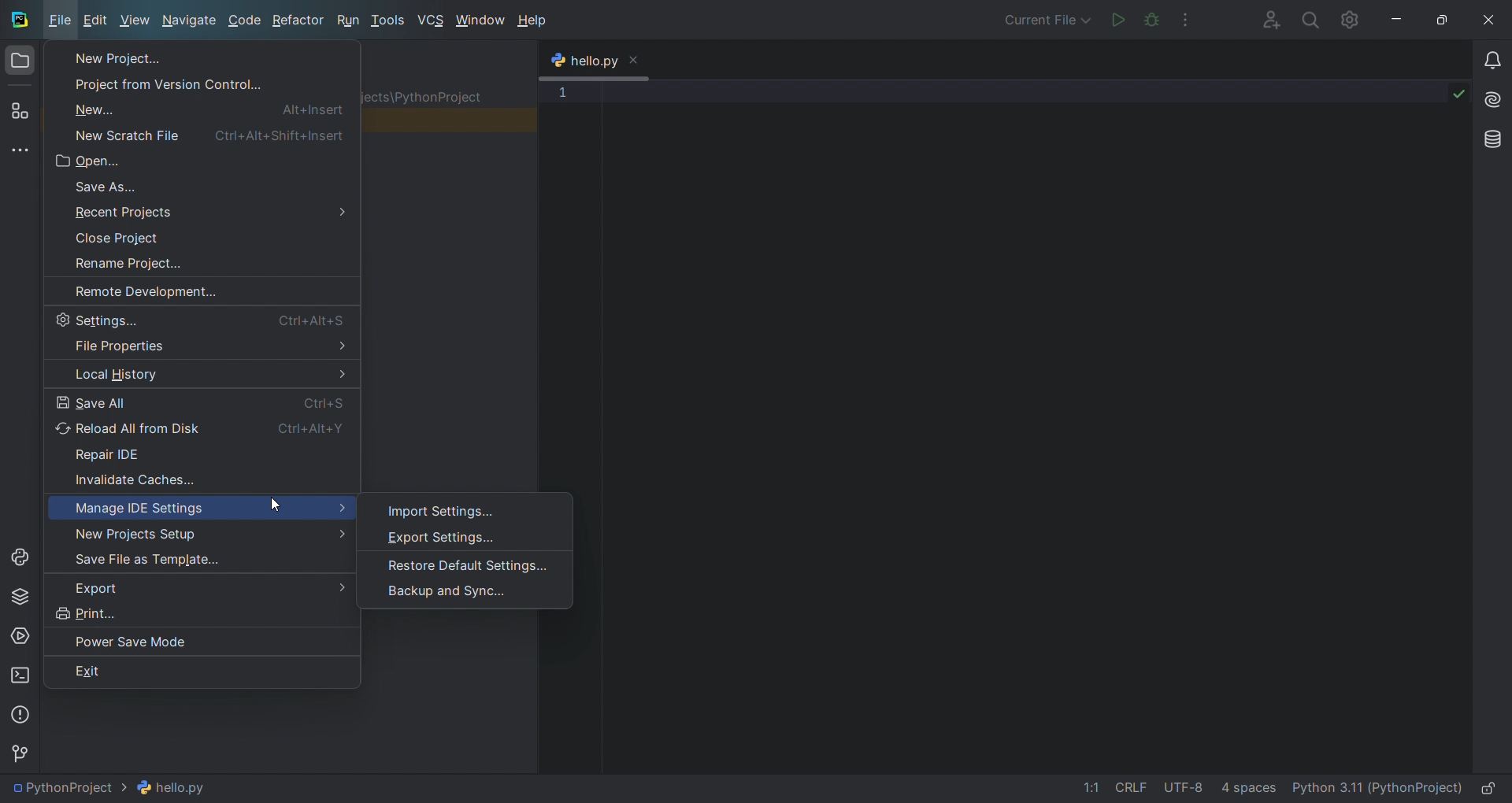  I want to click on run, so click(349, 20).